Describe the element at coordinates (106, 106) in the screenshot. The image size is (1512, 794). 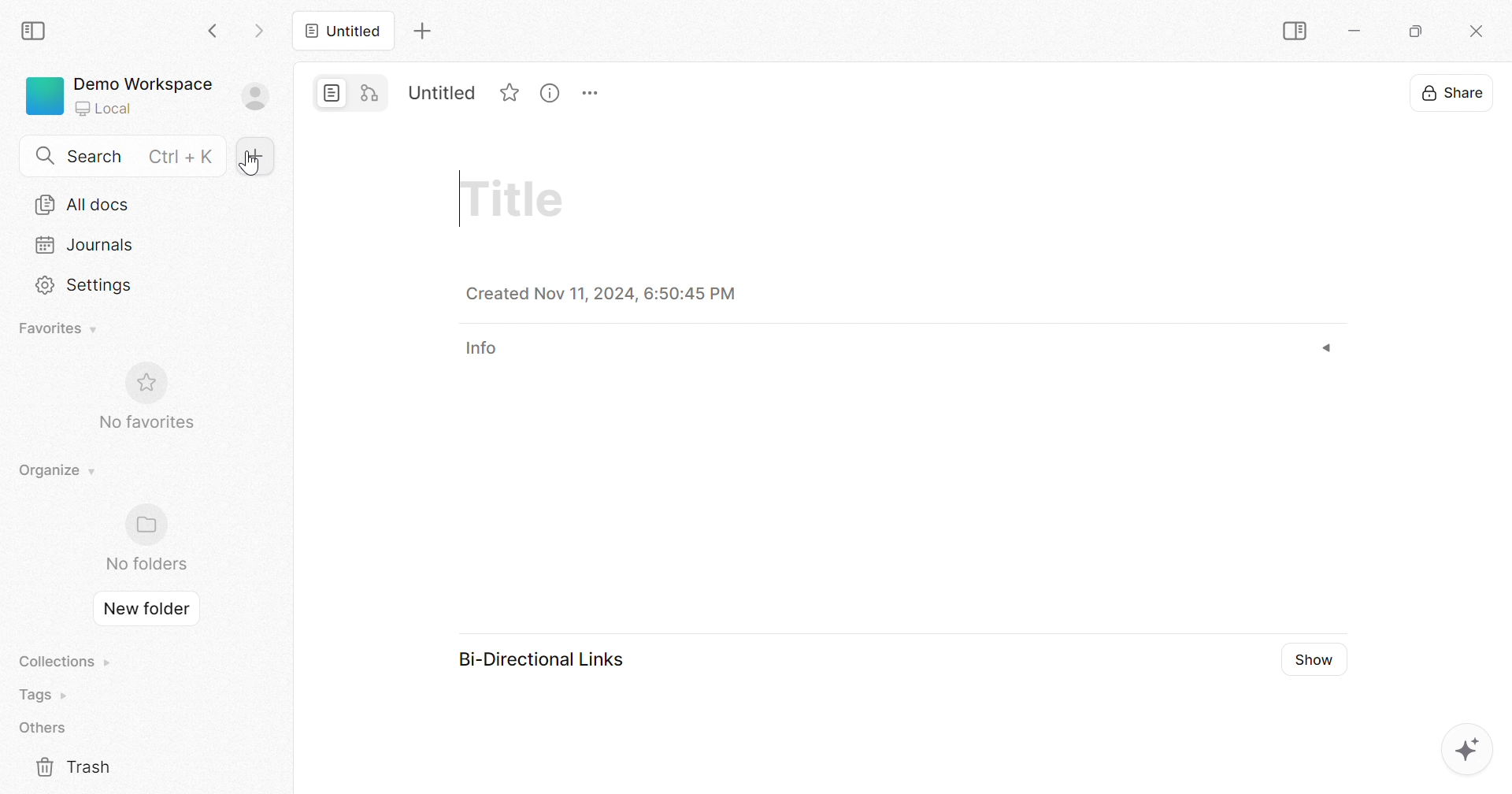
I see `Local` at that location.